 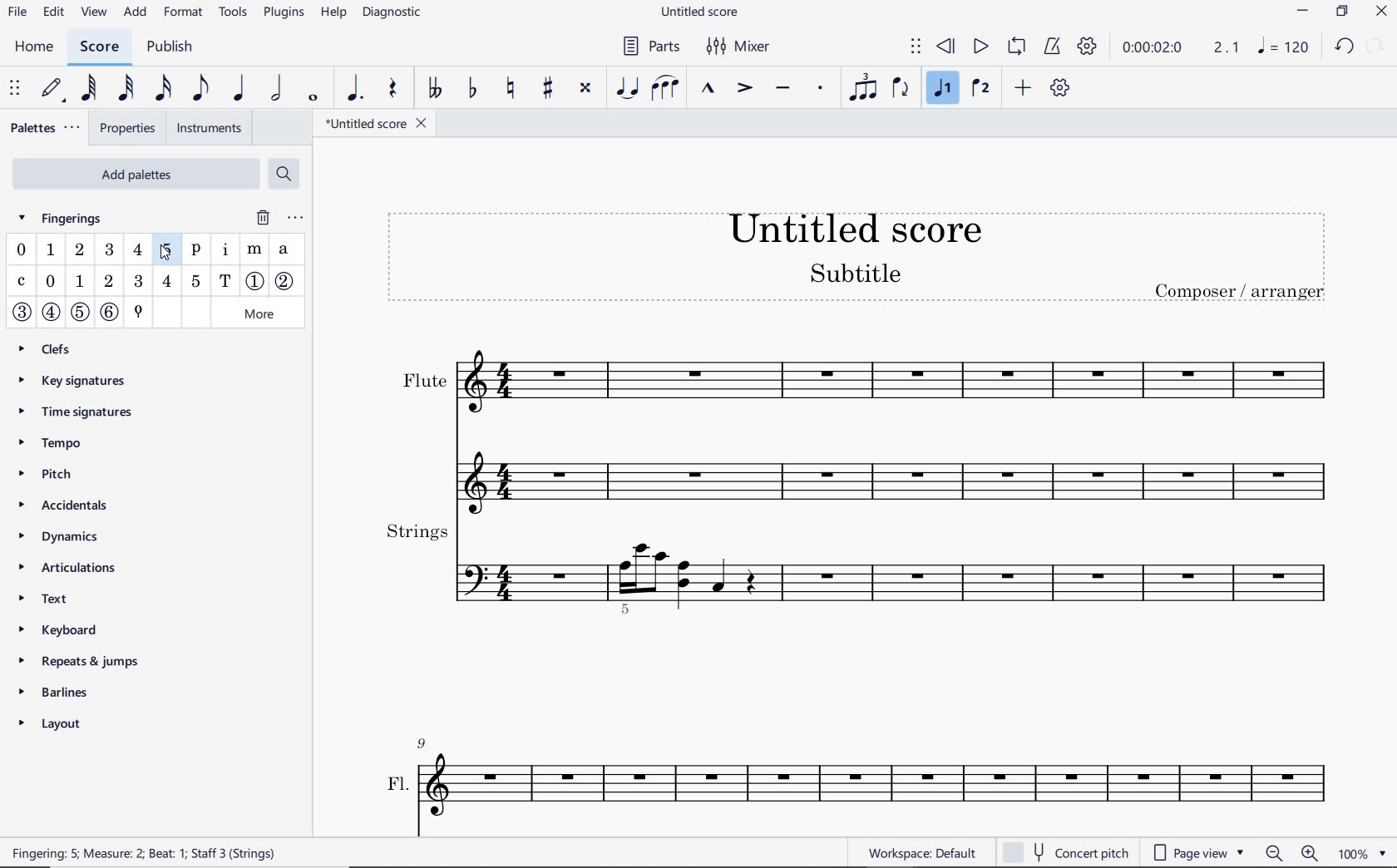 What do you see at coordinates (111, 312) in the screenshot?
I see `STRING NUMBER 6` at bounding box center [111, 312].